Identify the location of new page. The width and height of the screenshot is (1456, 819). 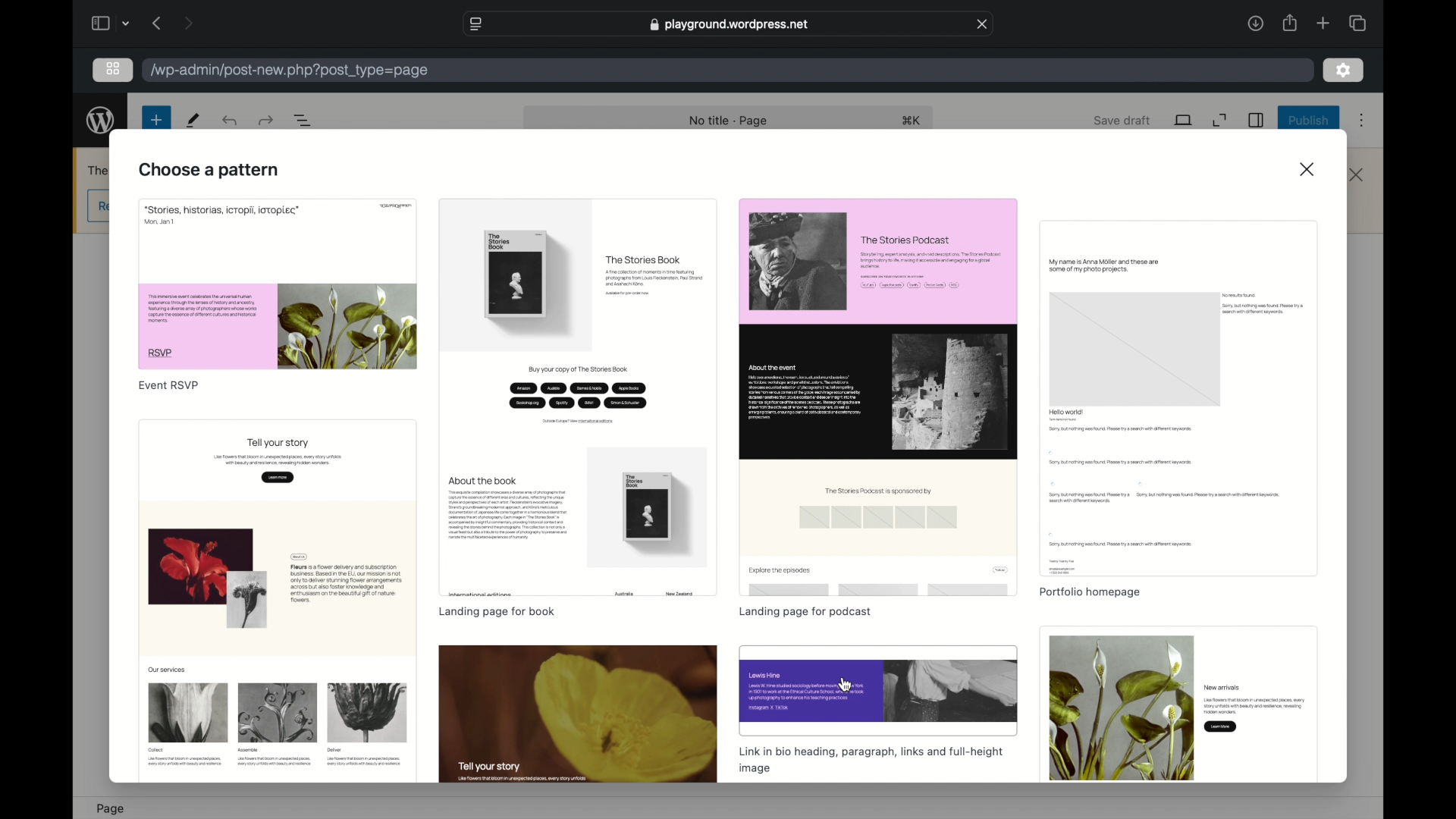
(156, 121).